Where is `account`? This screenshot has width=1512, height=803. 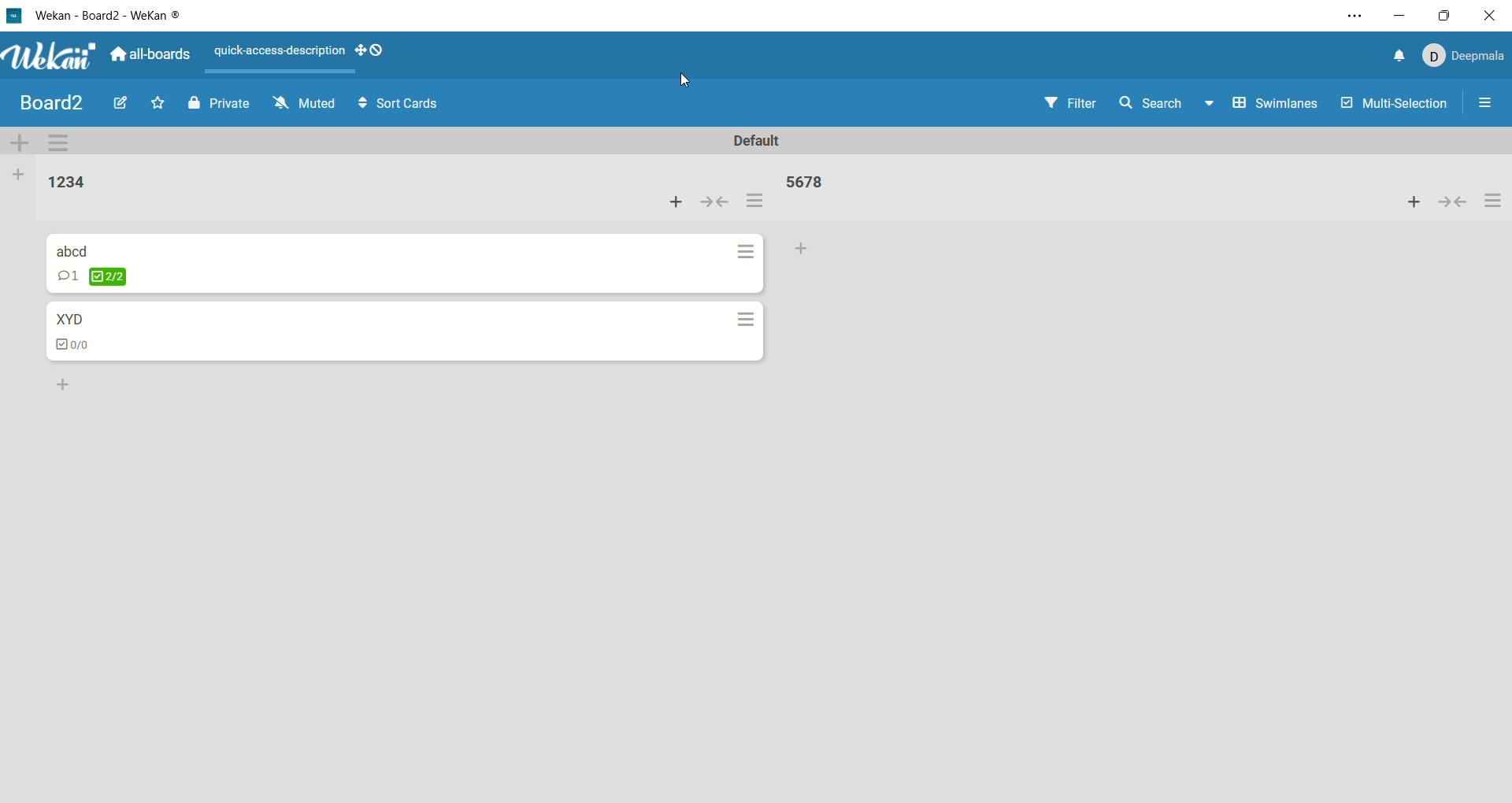
account is located at coordinates (1466, 57).